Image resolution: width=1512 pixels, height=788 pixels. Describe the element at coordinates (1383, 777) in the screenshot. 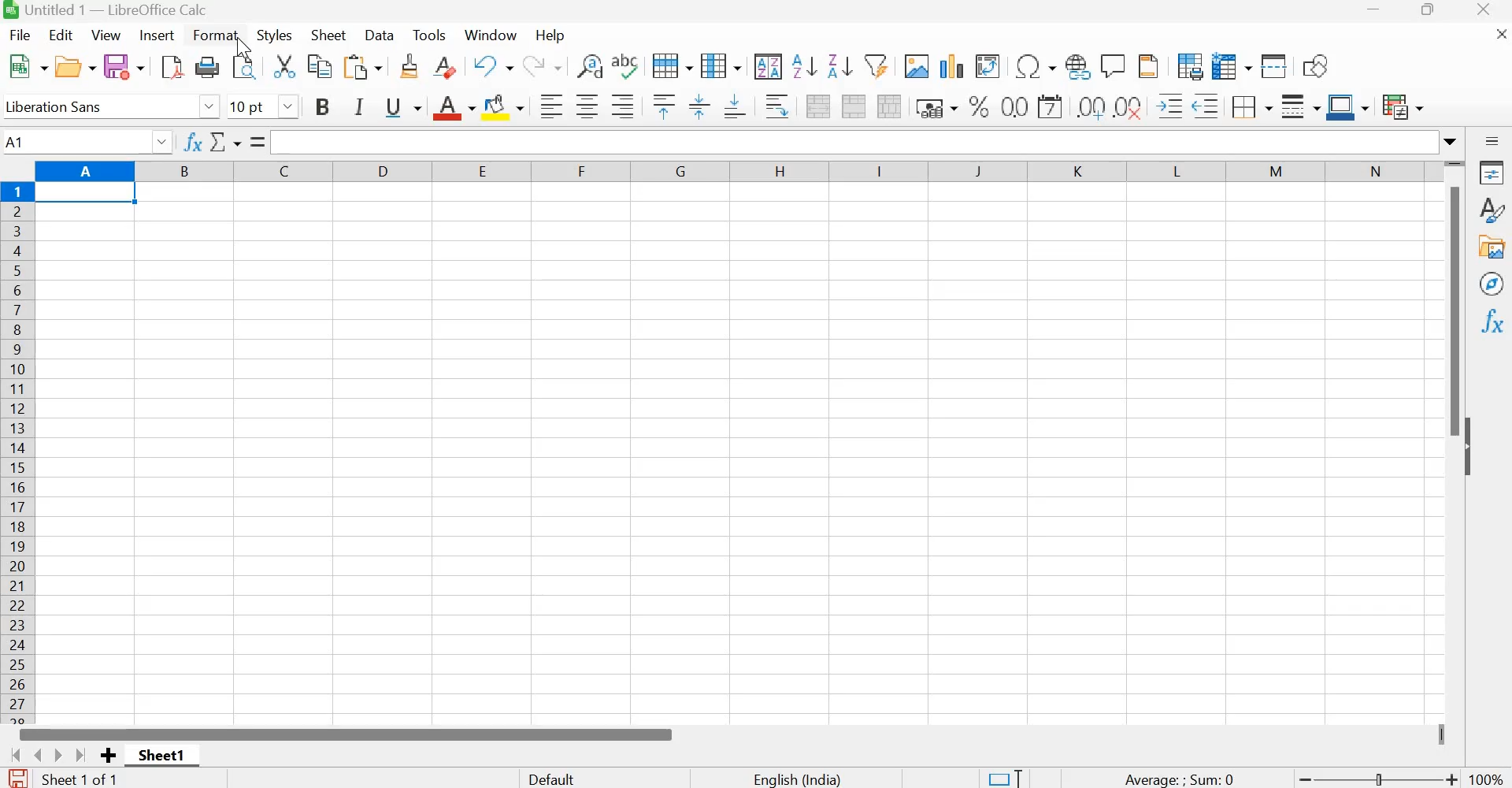

I see `toggle` at that location.